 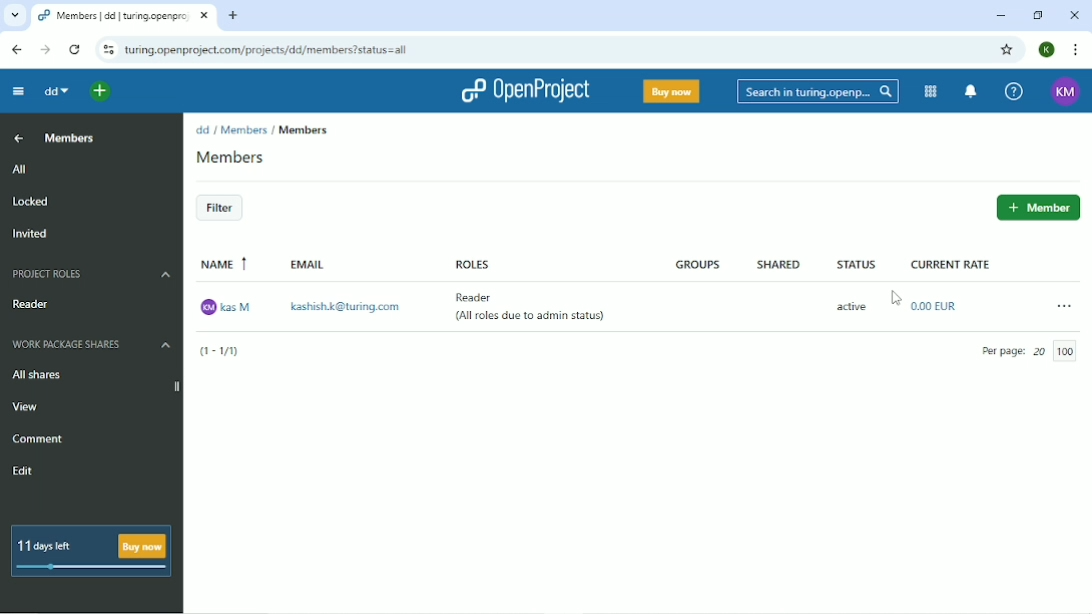 I want to click on Collapse project menu, so click(x=21, y=91).